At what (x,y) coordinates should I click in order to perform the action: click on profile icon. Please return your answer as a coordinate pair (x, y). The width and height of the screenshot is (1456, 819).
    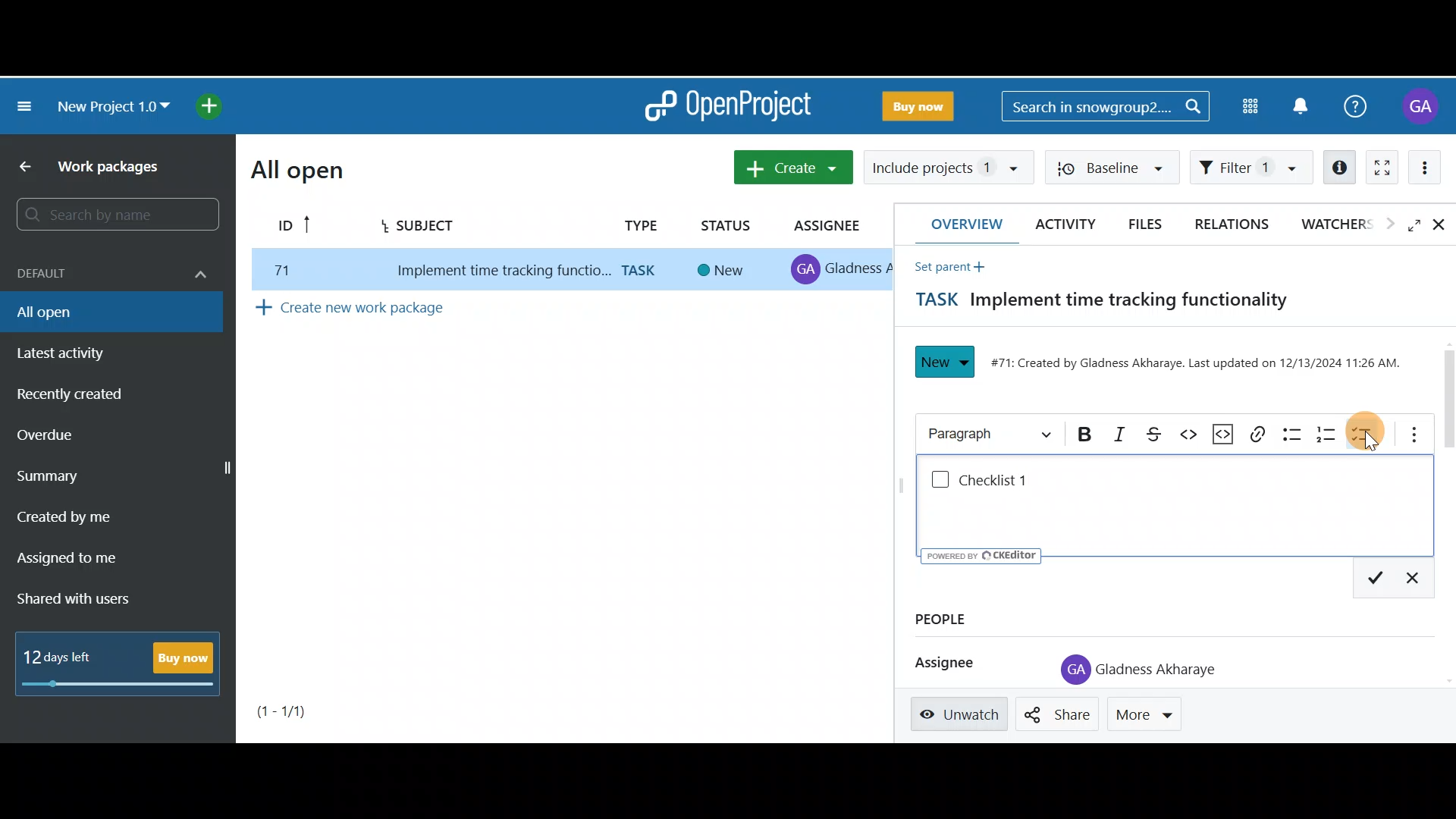
    Looking at the image, I should click on (1066, 670).